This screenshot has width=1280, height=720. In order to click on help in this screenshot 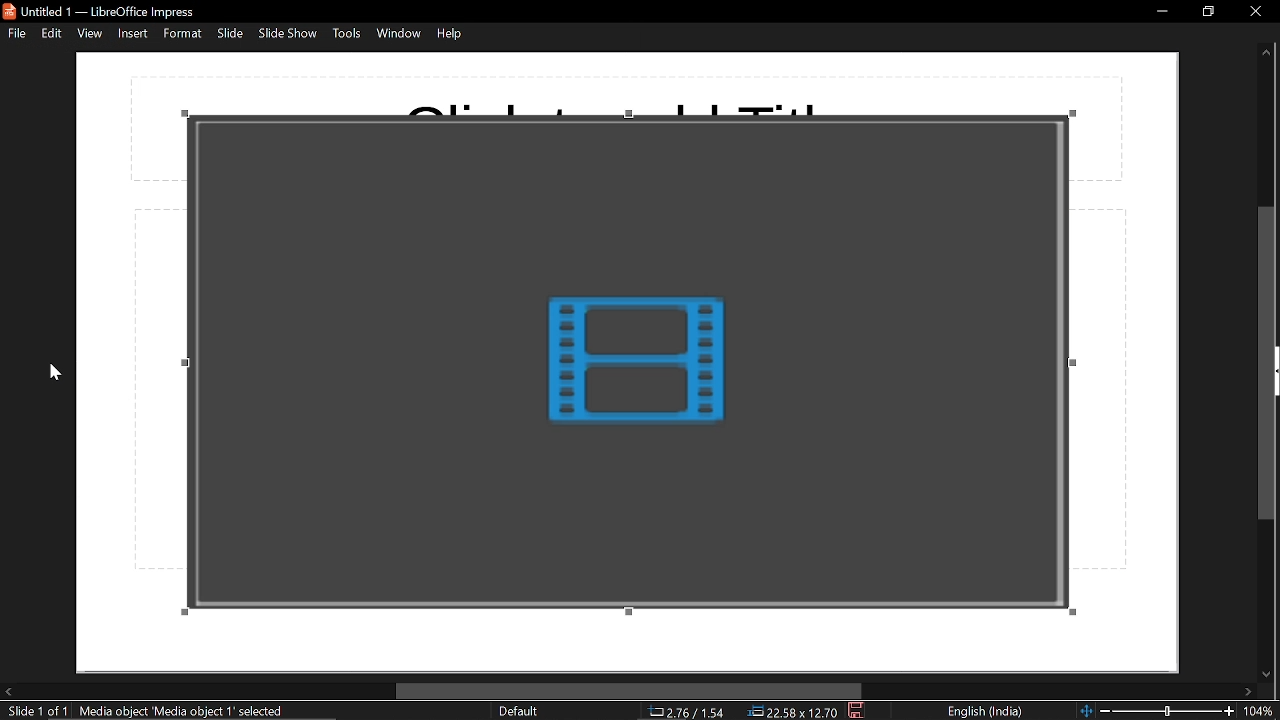, I will do `click(453, 33)`.